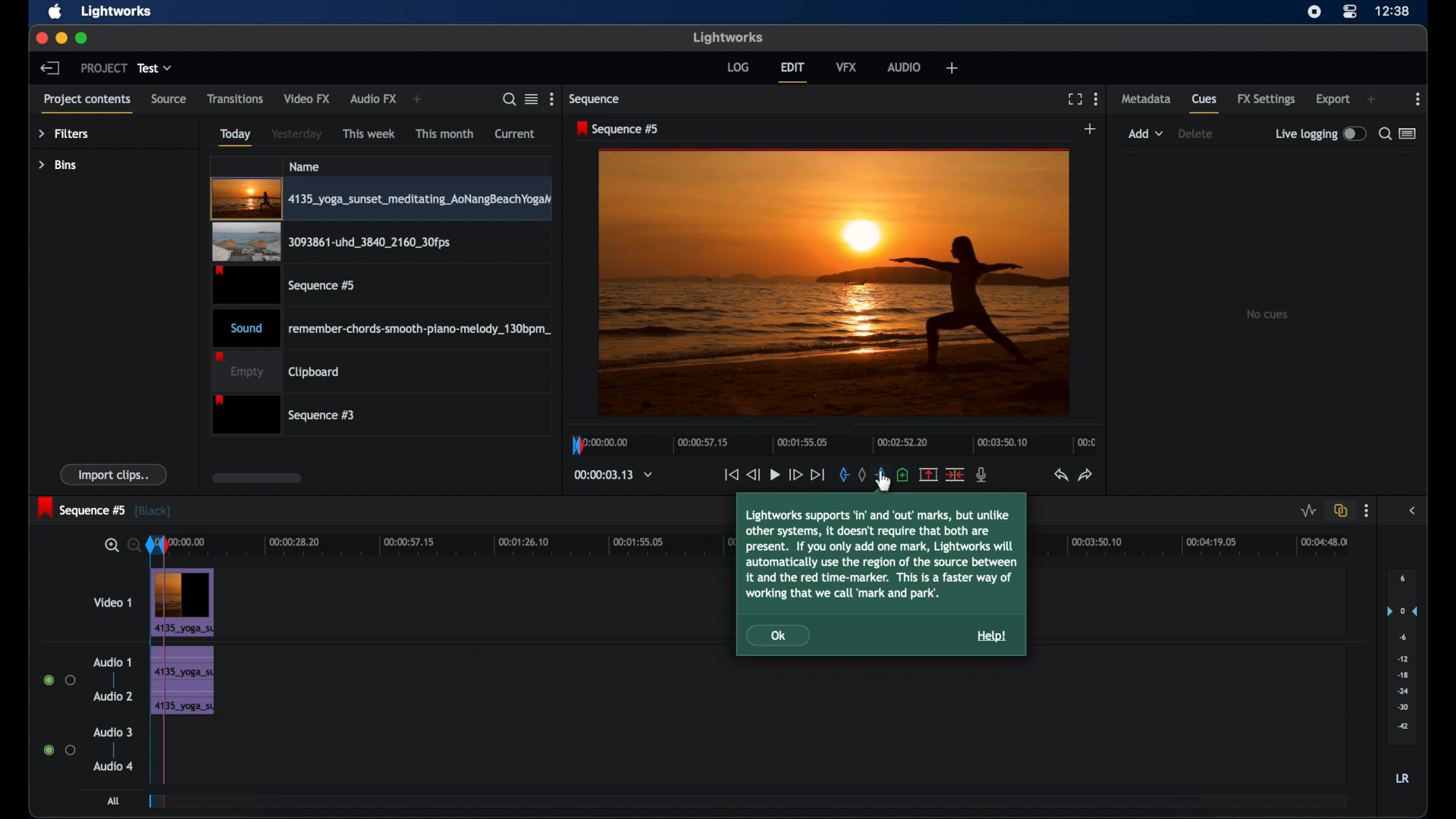 Image resolution: width=1456 pixels, height=819 pixels. I want to click on name, so click(305, 166).